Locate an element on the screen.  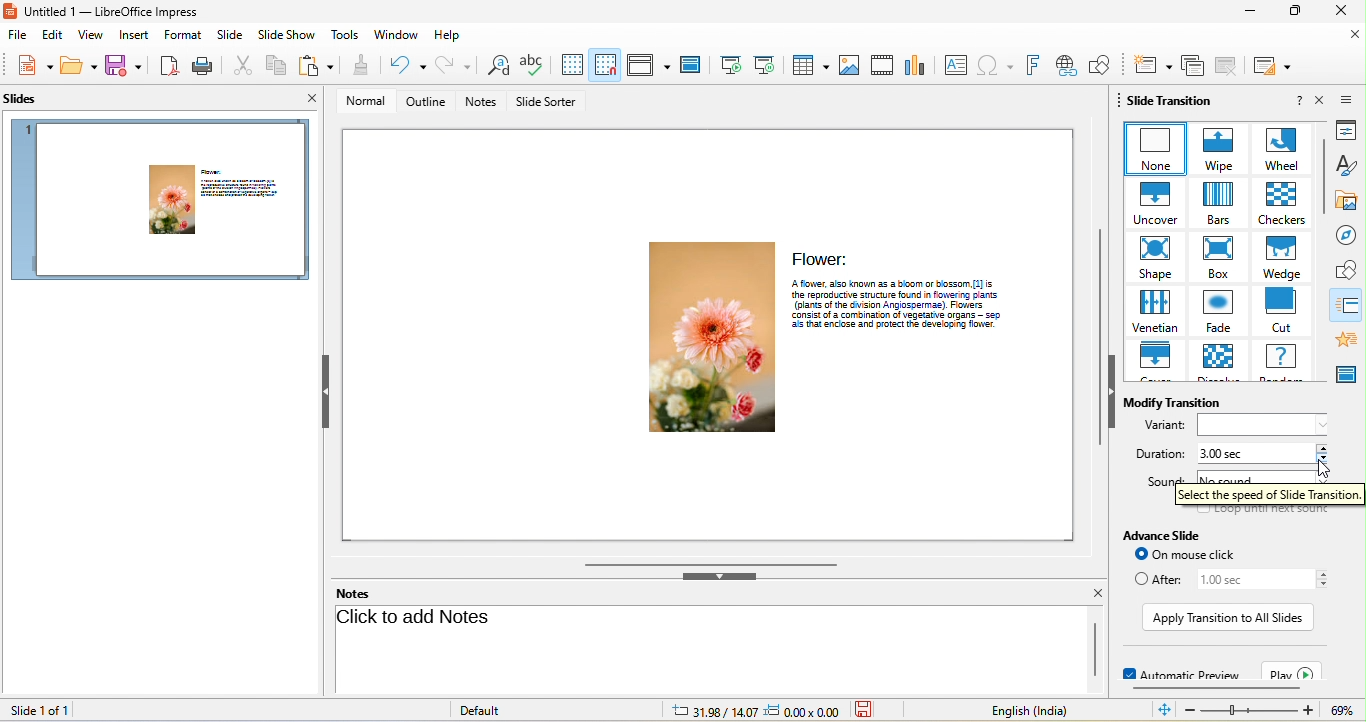
close notes is located at coordinates (1097, 593).